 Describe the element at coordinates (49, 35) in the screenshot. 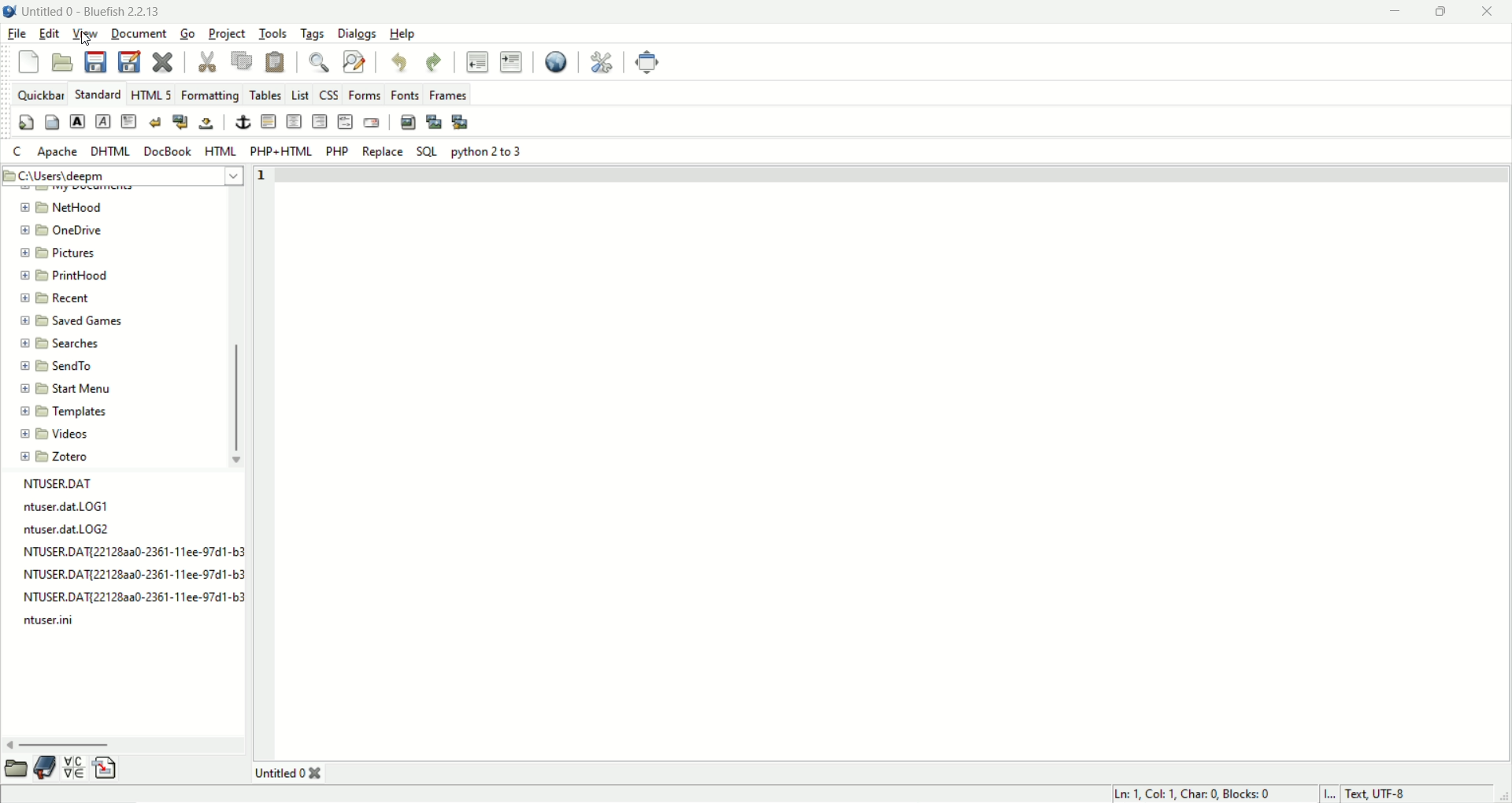

I see `edit` at that location.